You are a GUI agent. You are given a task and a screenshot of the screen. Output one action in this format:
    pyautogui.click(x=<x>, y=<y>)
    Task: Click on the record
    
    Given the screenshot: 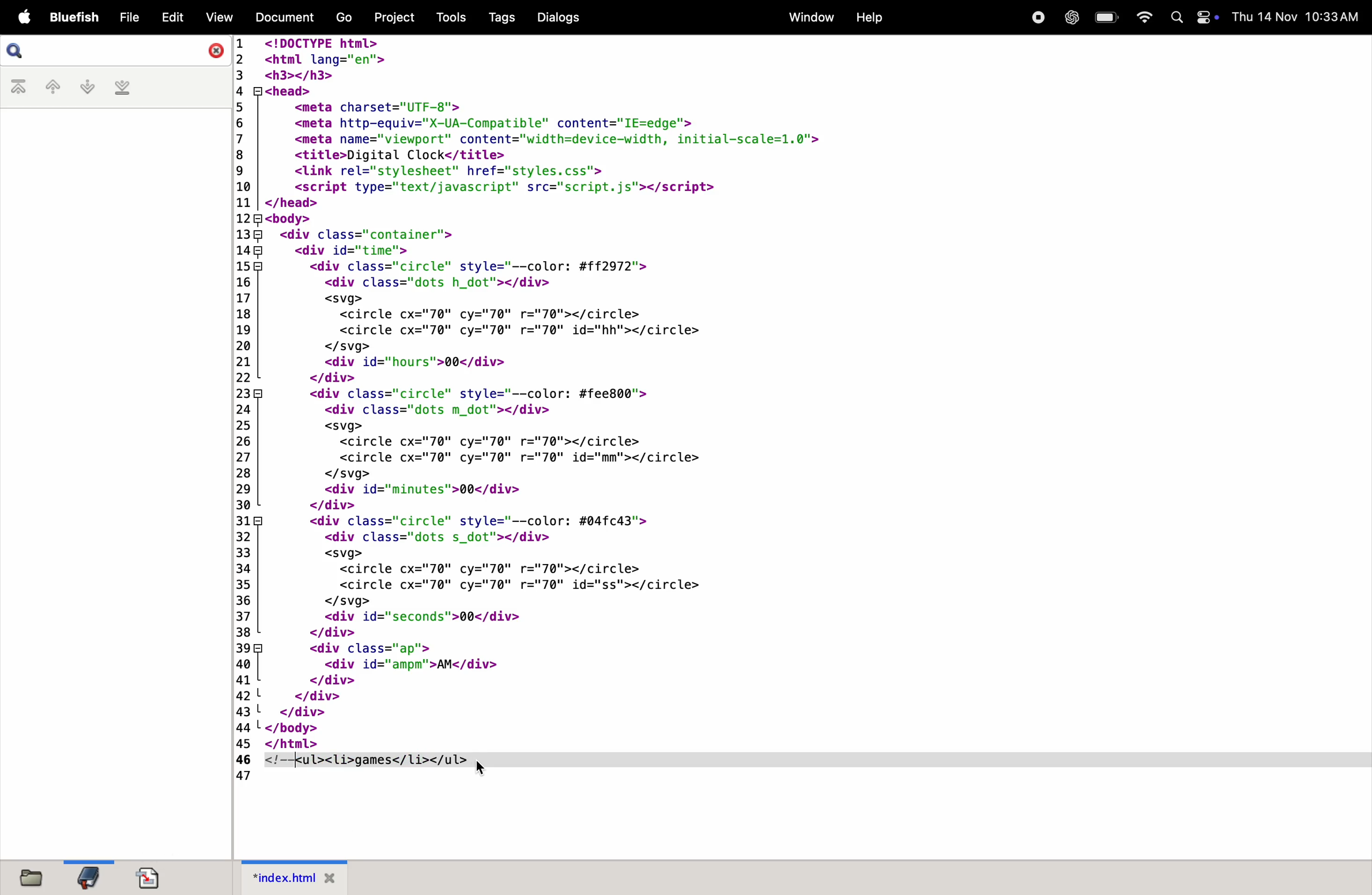 What is the action you would take?
    pyautogui.click(x=1037, y=18)
    